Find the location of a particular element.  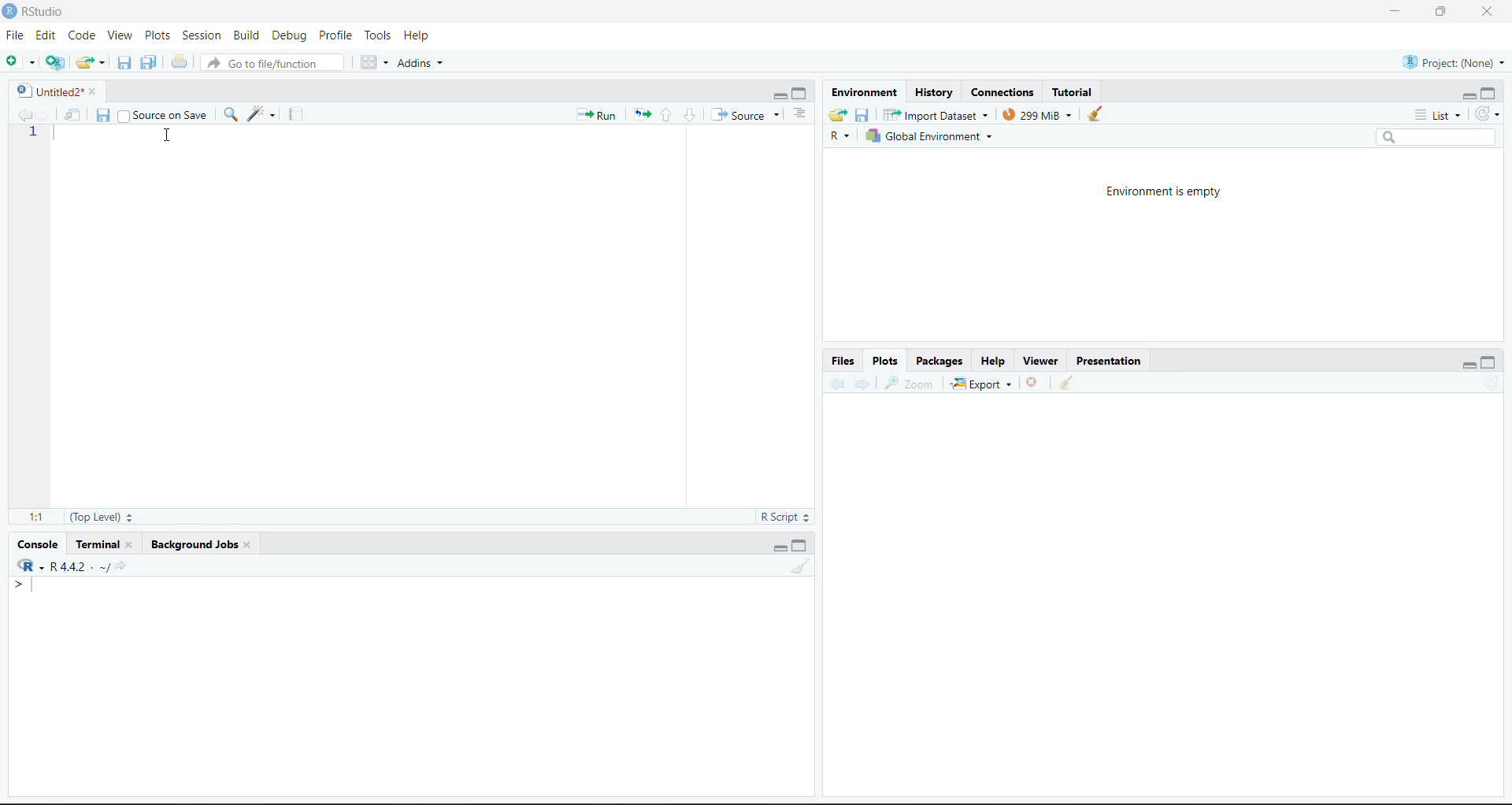

Code is located at coordinates (82, 36).